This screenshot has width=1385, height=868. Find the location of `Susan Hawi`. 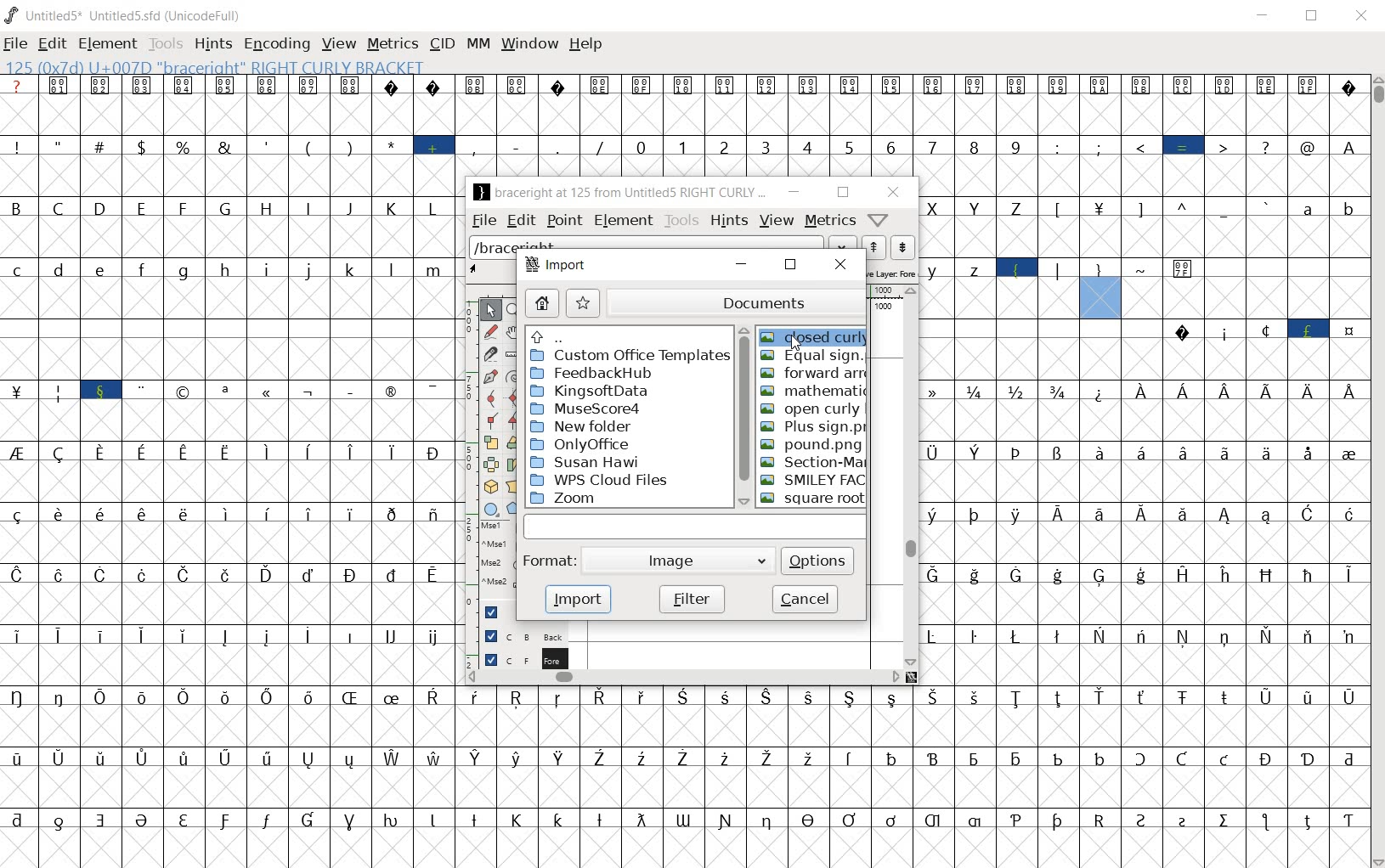

Susan Hawi is located at coordinates (583, 463).